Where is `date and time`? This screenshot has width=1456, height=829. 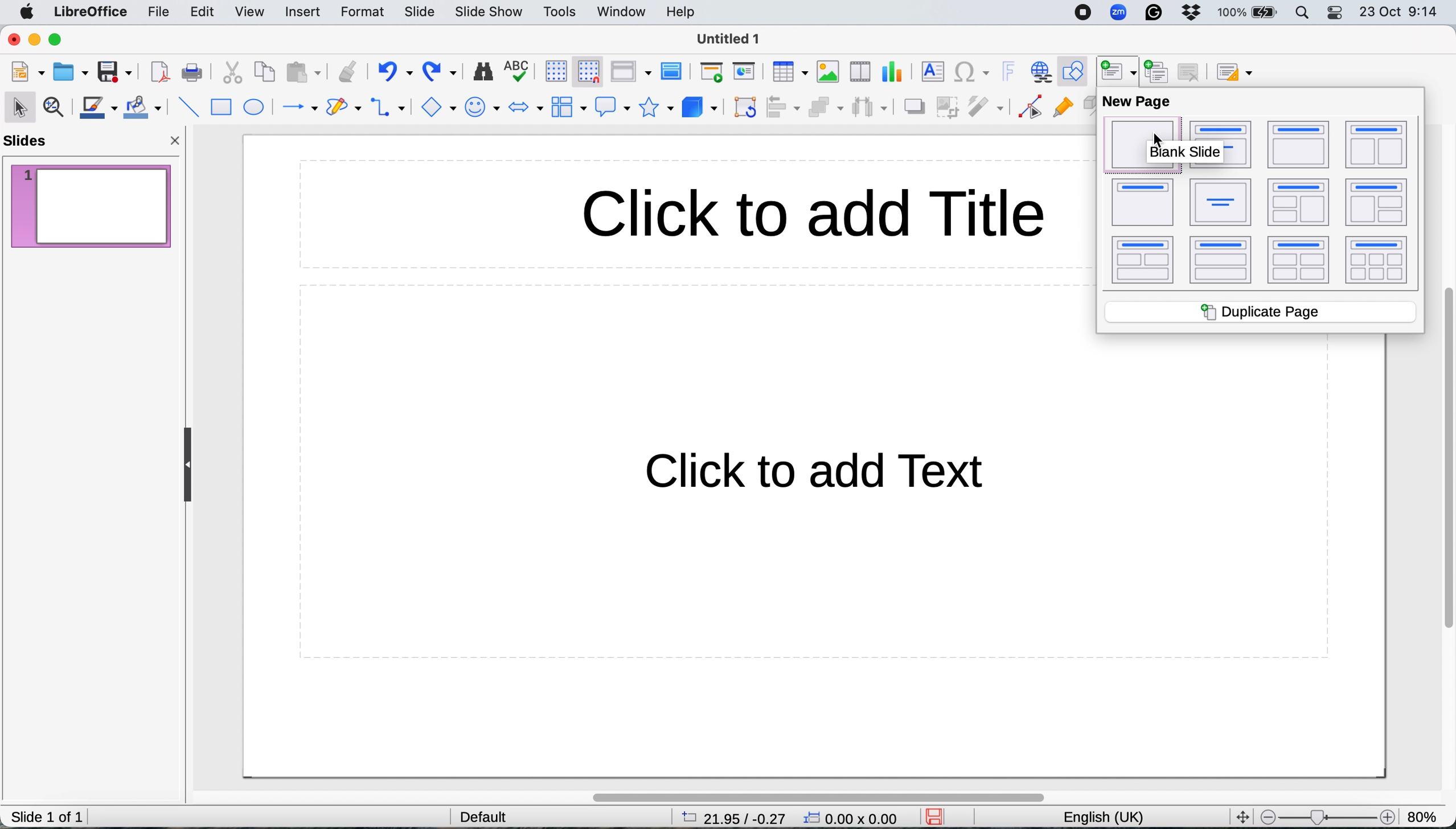
date and time is located at coordinates (1400, 14).